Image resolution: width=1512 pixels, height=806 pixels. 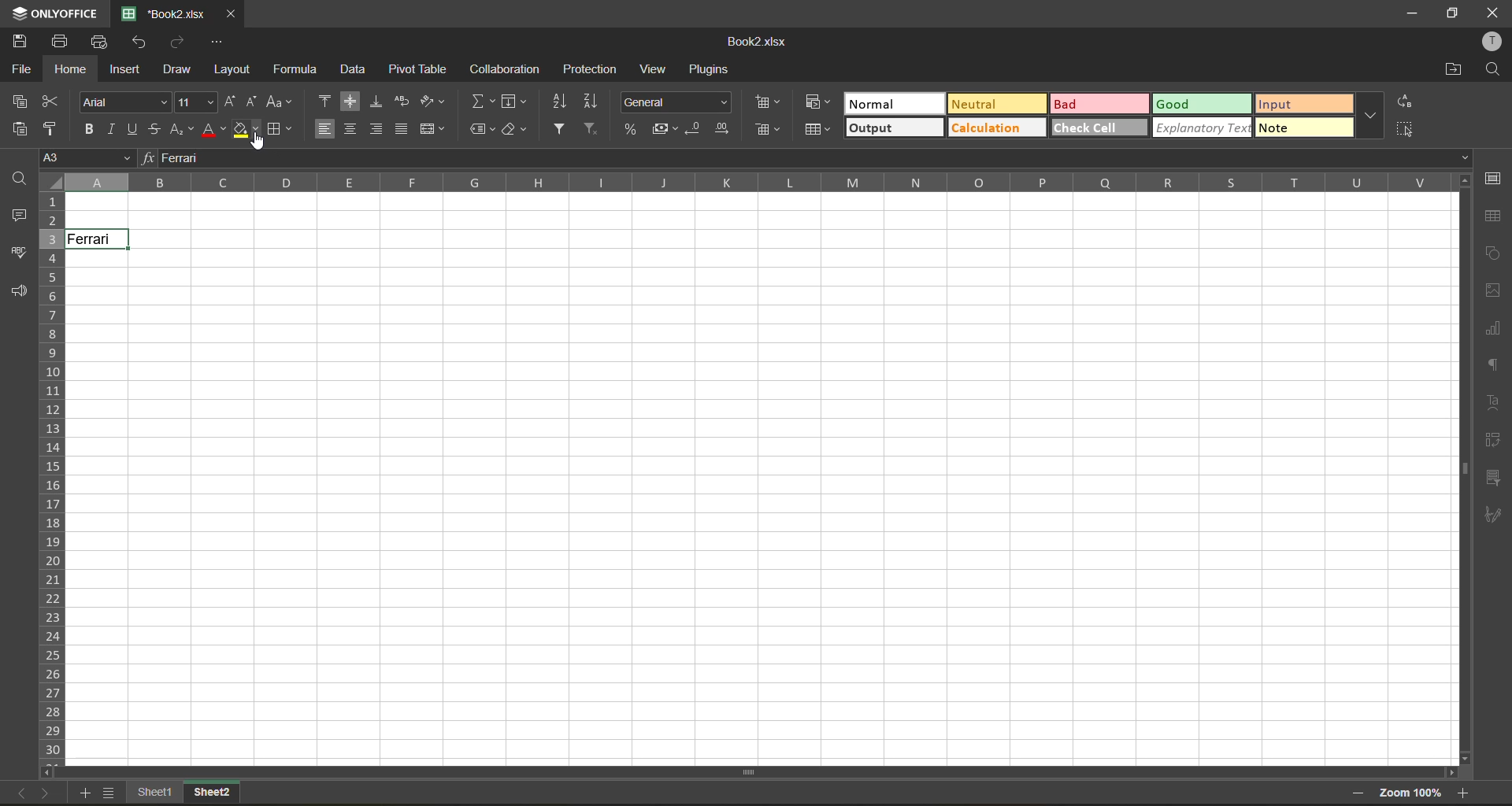 I want to click on pivot table, so click(x=421, y=68).